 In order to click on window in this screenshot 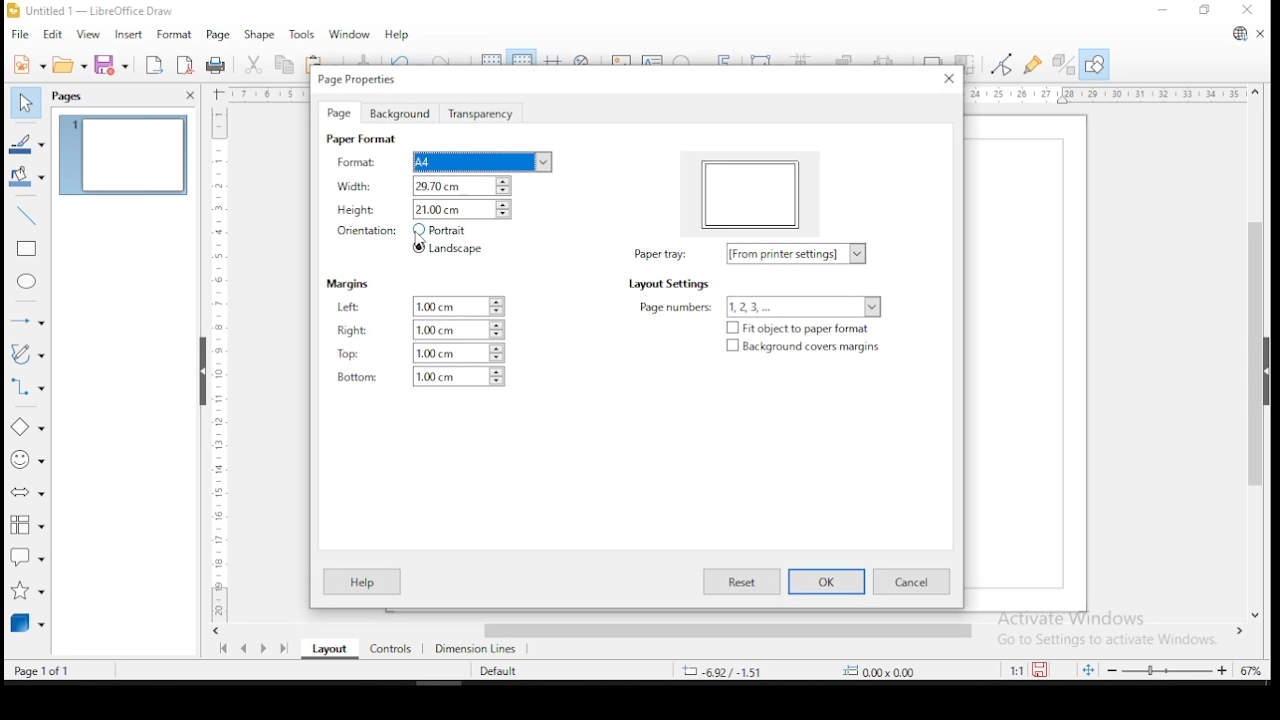, I will do `click(349, 36)`.